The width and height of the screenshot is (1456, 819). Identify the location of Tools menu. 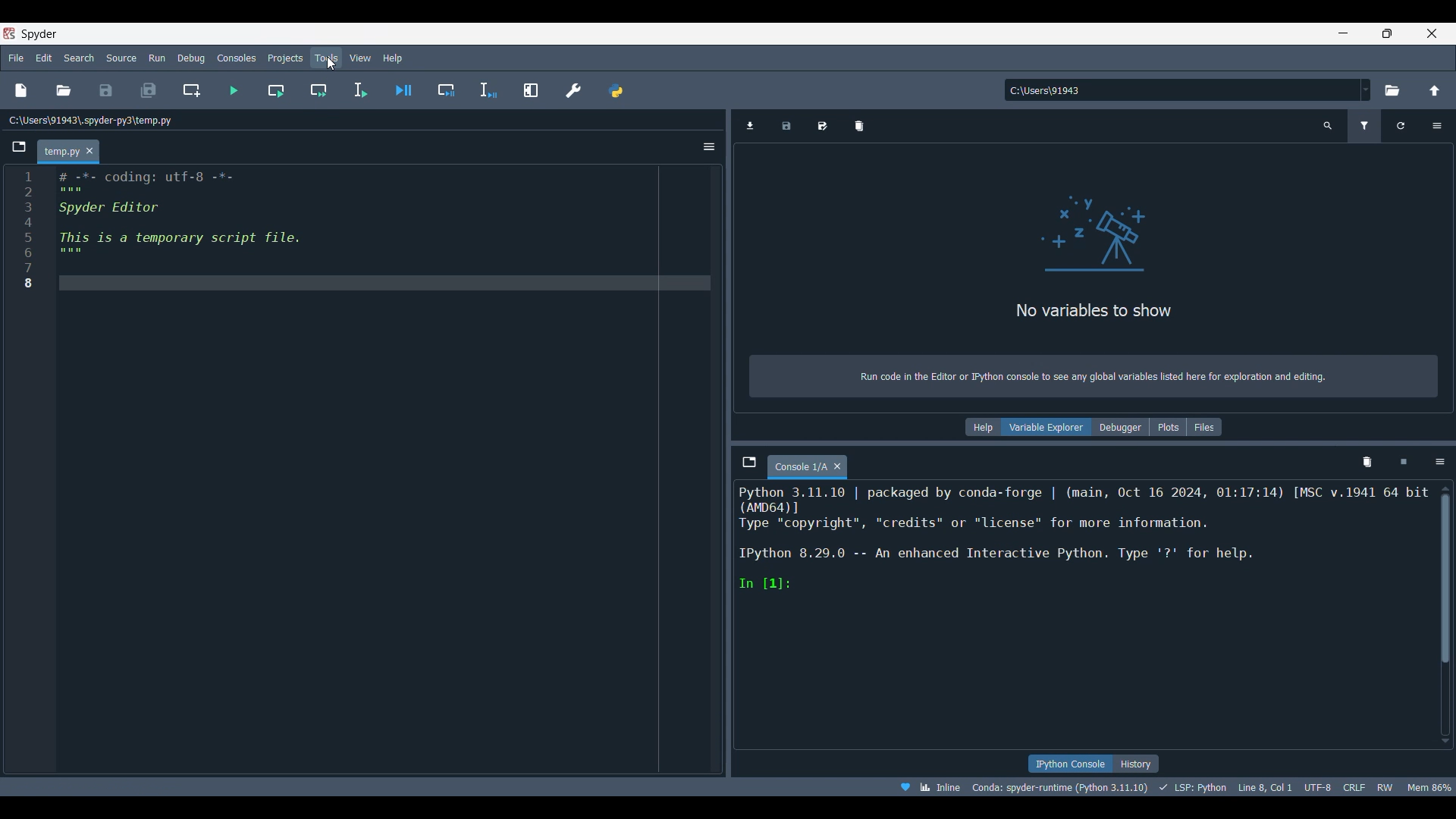
(325, 58).